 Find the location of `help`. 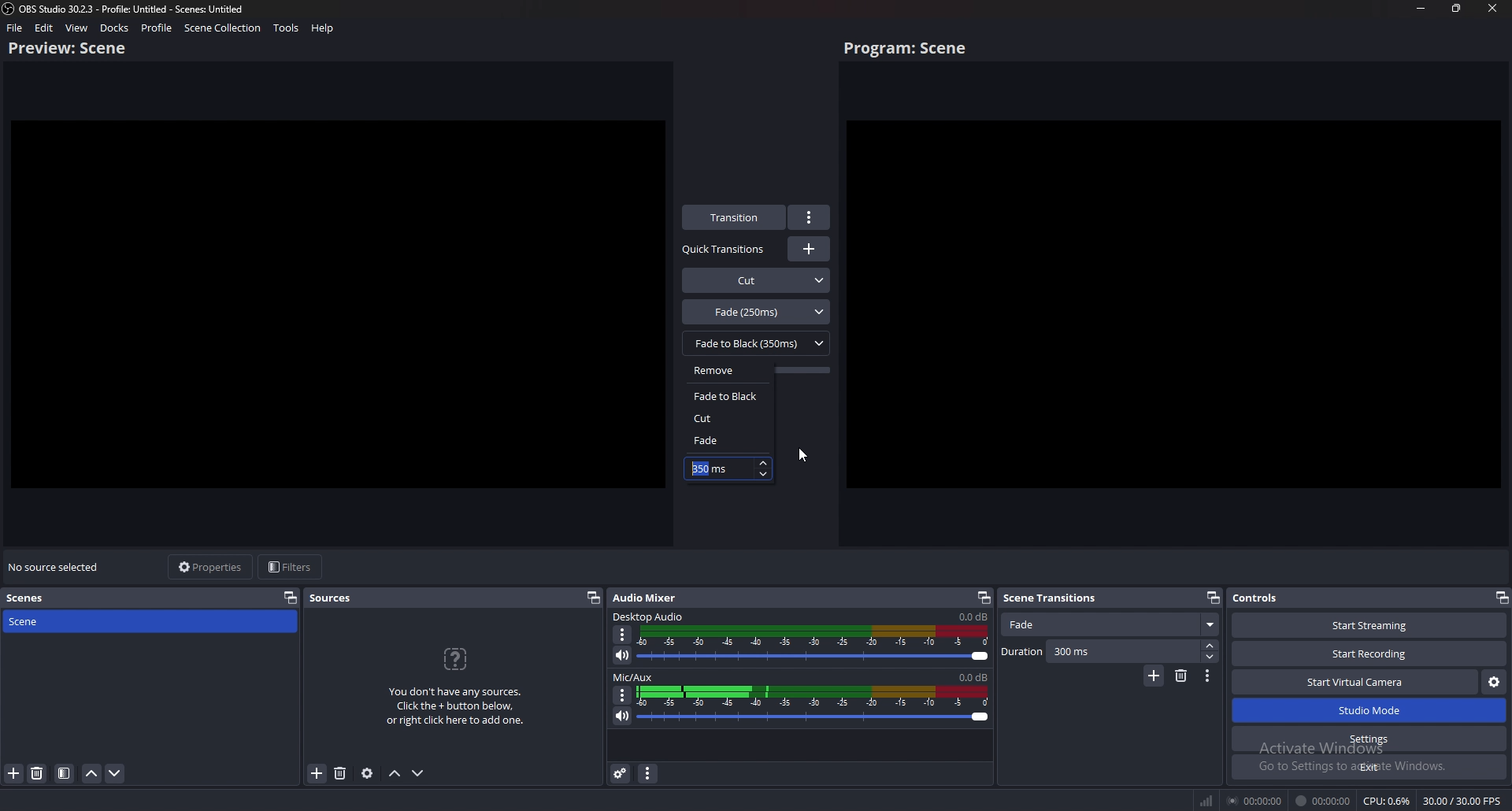

help is located at coordinates (322, 28).